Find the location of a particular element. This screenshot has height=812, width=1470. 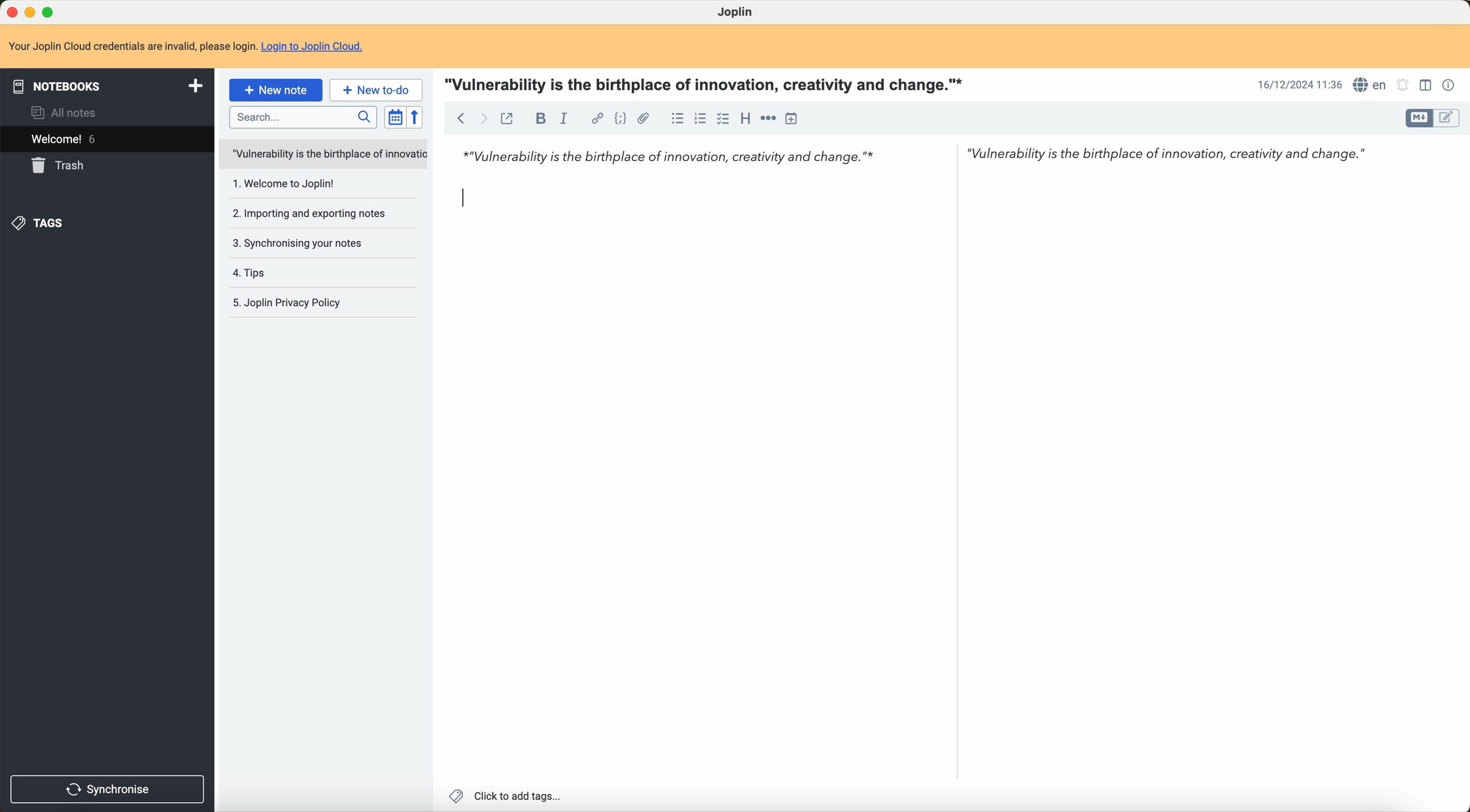

note properties is located at coordinates (1449, 85).